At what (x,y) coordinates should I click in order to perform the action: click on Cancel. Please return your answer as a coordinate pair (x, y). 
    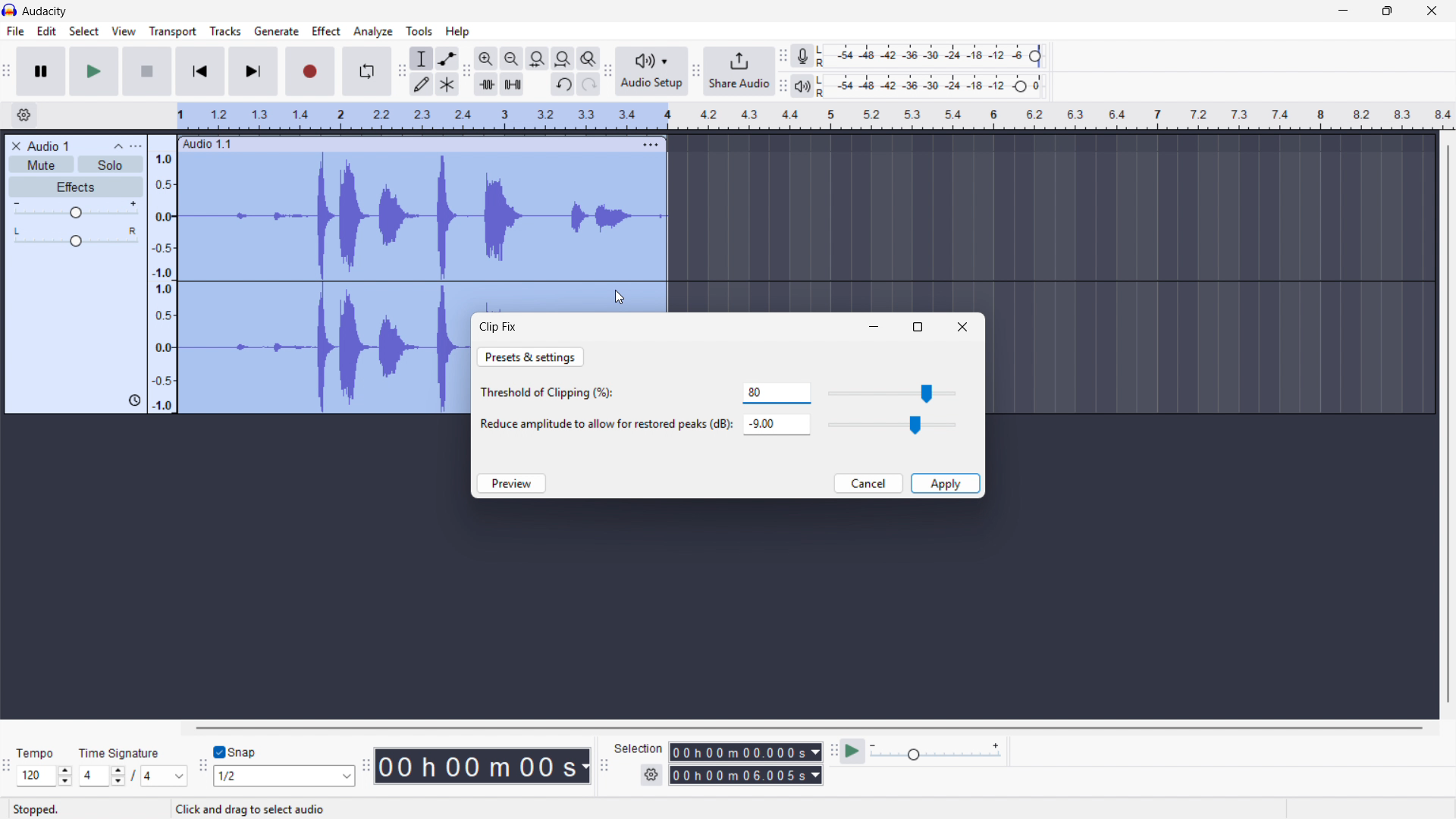
    Looking at the image, I should click on (868, 483).